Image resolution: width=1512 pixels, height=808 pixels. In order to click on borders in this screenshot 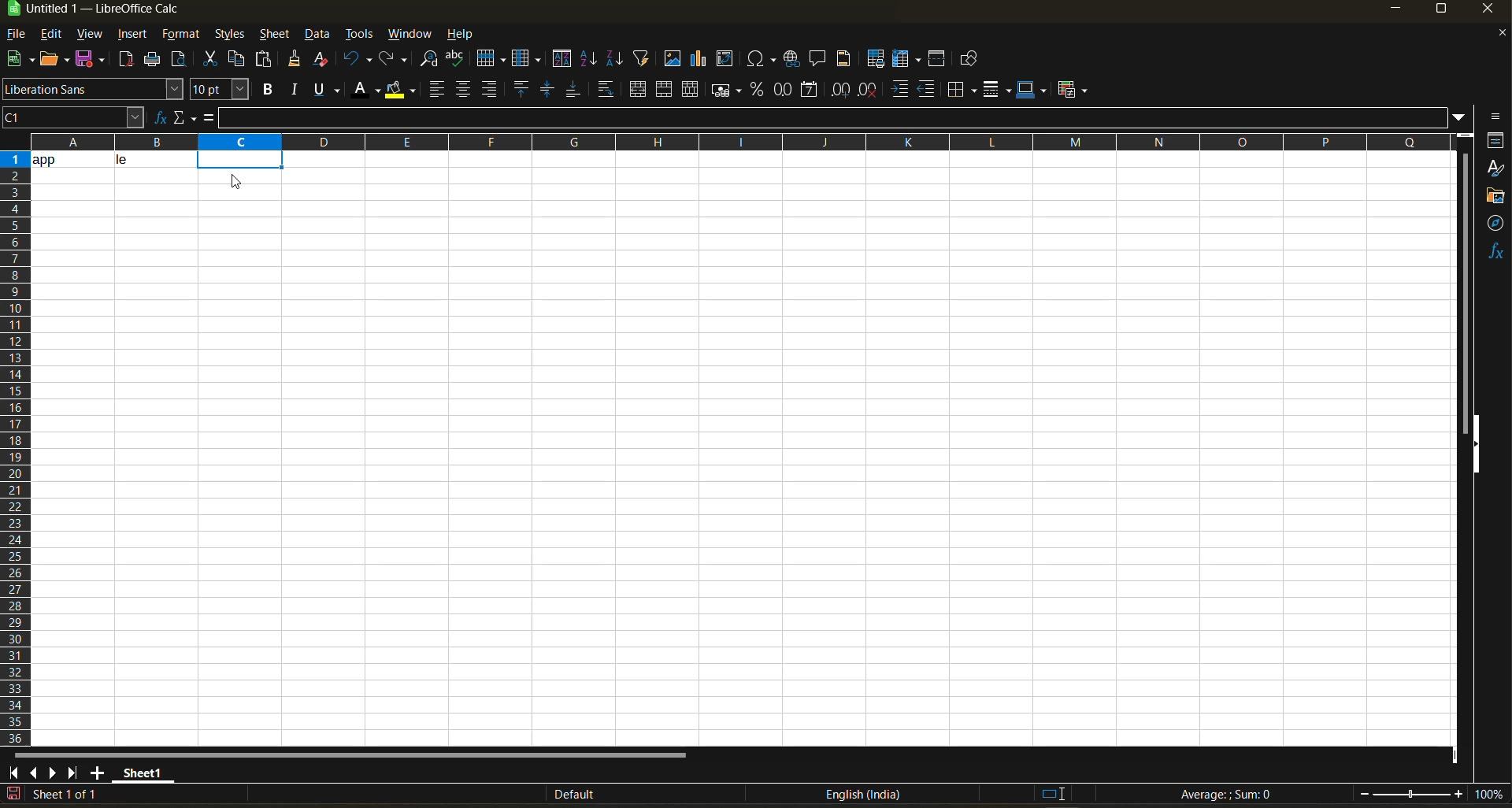, I will do `click(962, 90)`.